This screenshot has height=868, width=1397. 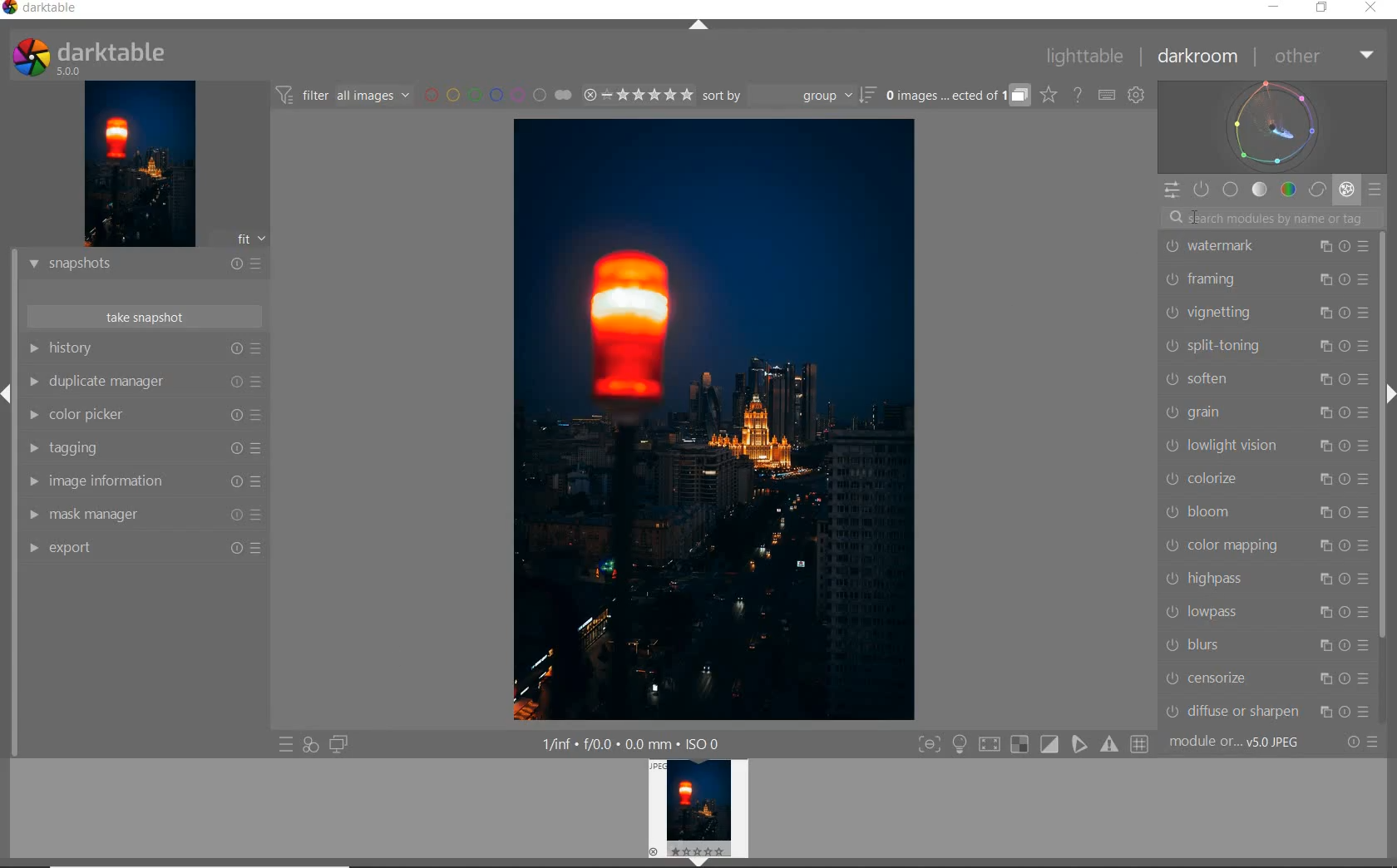 I want to click on MODULE...v5.0 JPEG, so click(x=1251, y=744).